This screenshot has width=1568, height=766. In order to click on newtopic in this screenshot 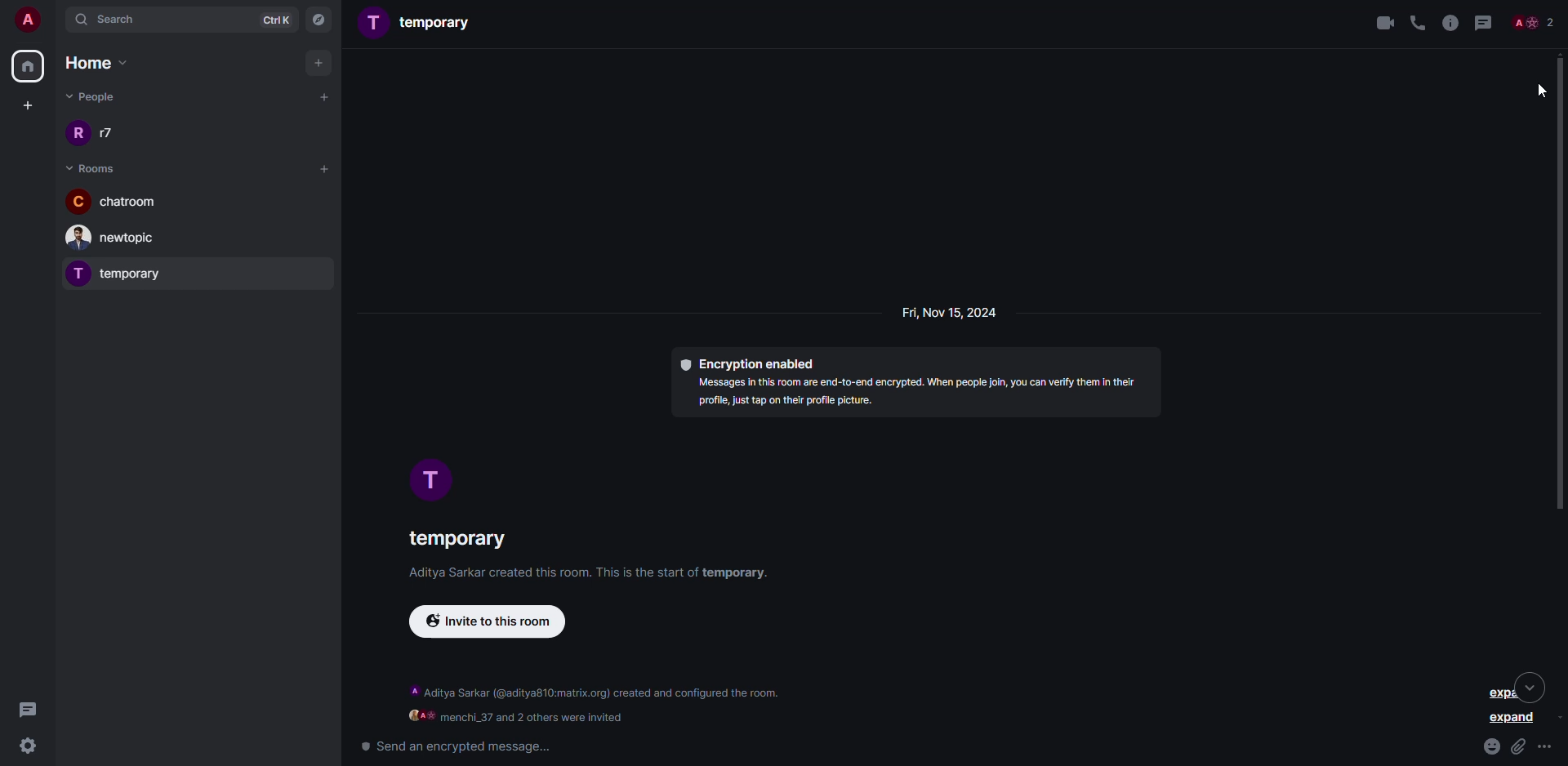, I will do `click(118, 238)`.